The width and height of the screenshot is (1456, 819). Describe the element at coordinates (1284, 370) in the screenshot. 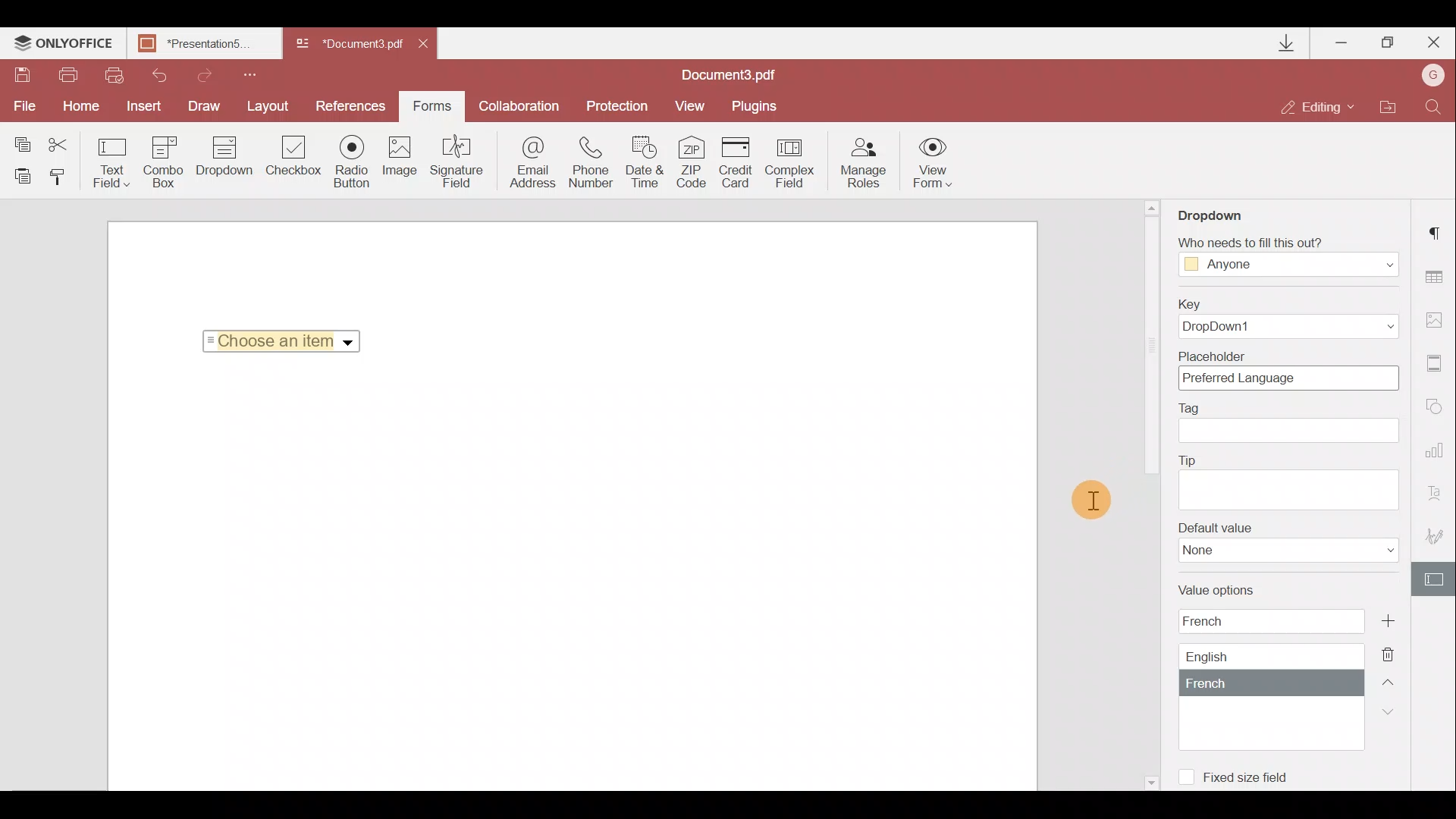

I see `Placeholder` at that location.